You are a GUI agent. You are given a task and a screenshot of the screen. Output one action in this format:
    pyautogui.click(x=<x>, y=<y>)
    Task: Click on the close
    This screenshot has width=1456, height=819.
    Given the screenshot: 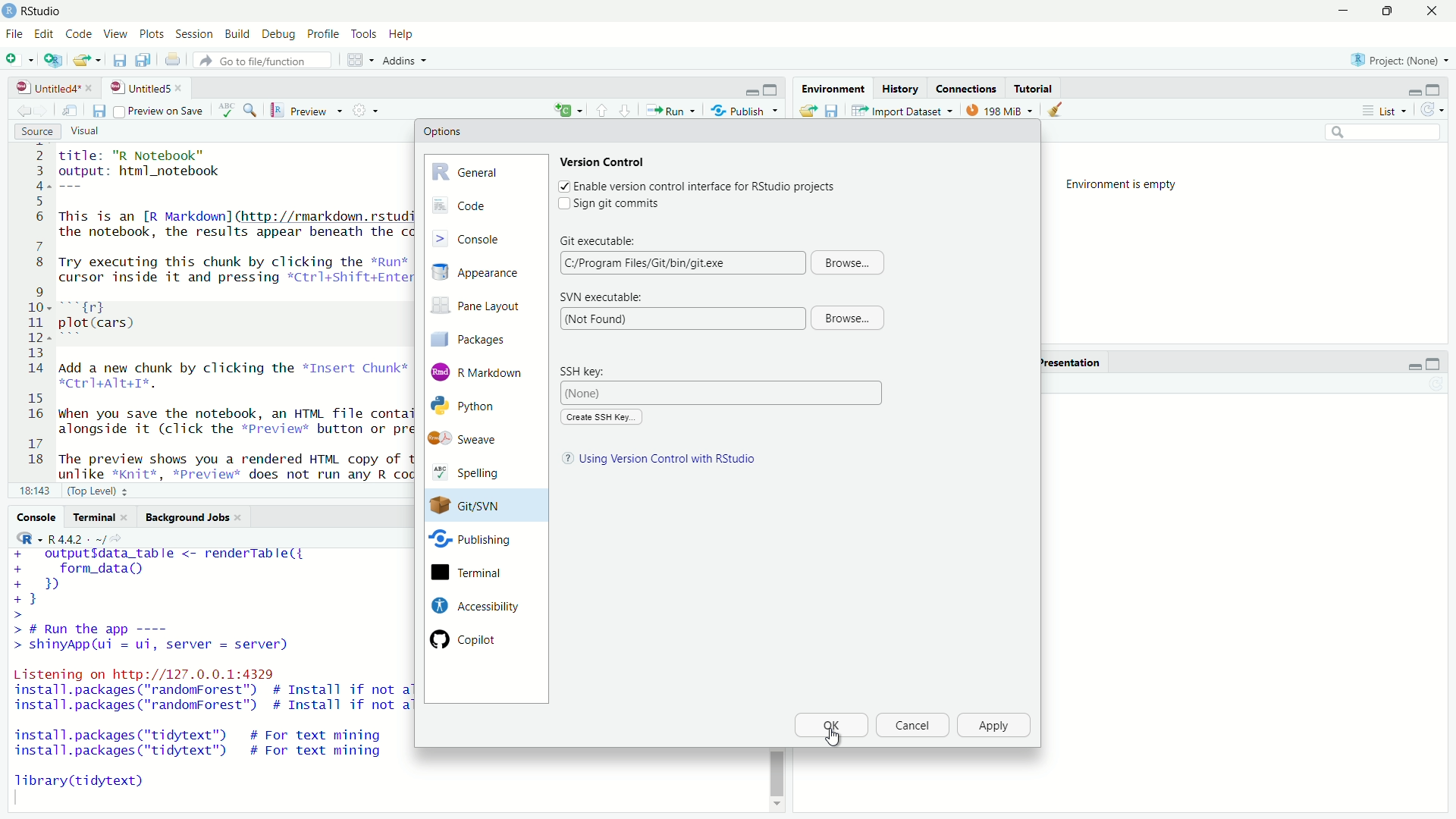 What is the action you would take?
    pyautogui.click(x=92, y=88)
    